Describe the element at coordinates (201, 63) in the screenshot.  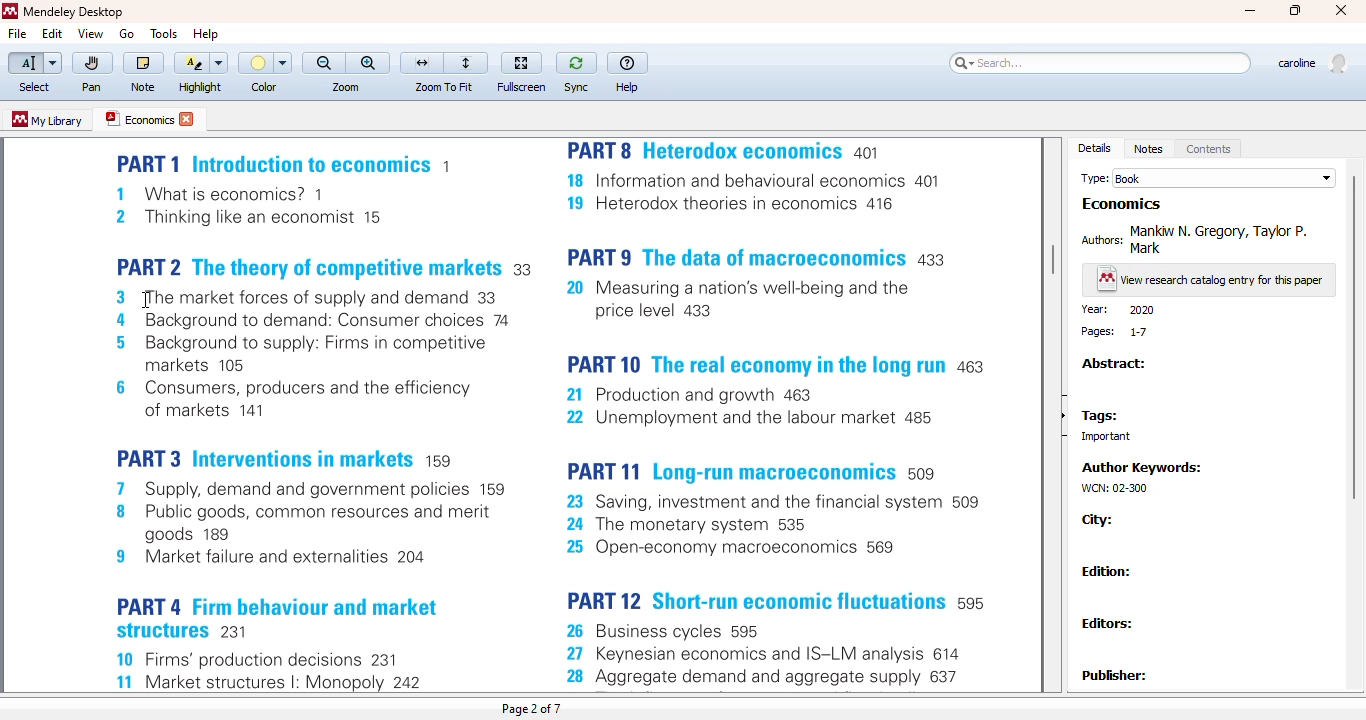
I see `Highlight` at that location.